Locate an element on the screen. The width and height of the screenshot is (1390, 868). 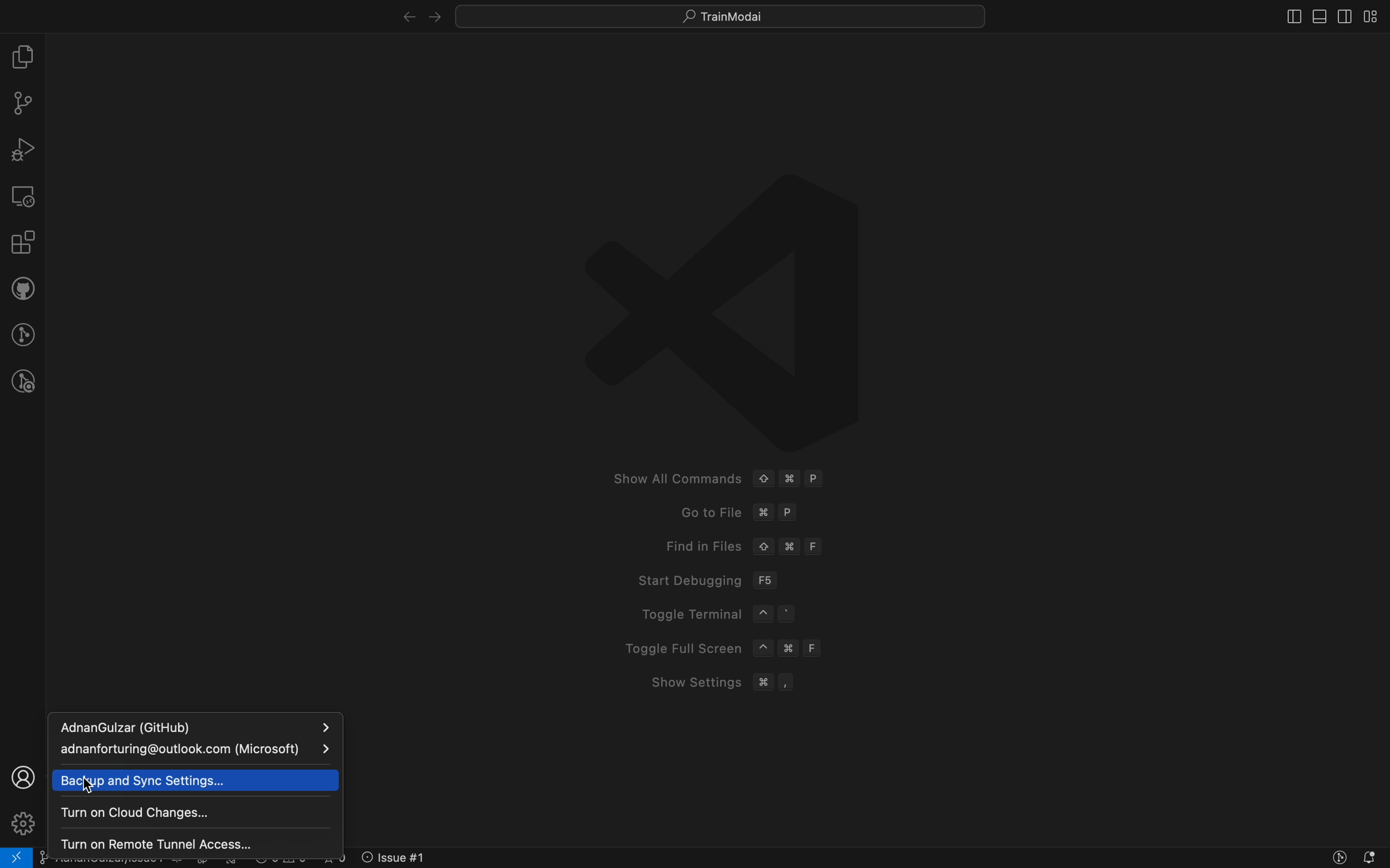
error logs is located at coordinates (467, 859).